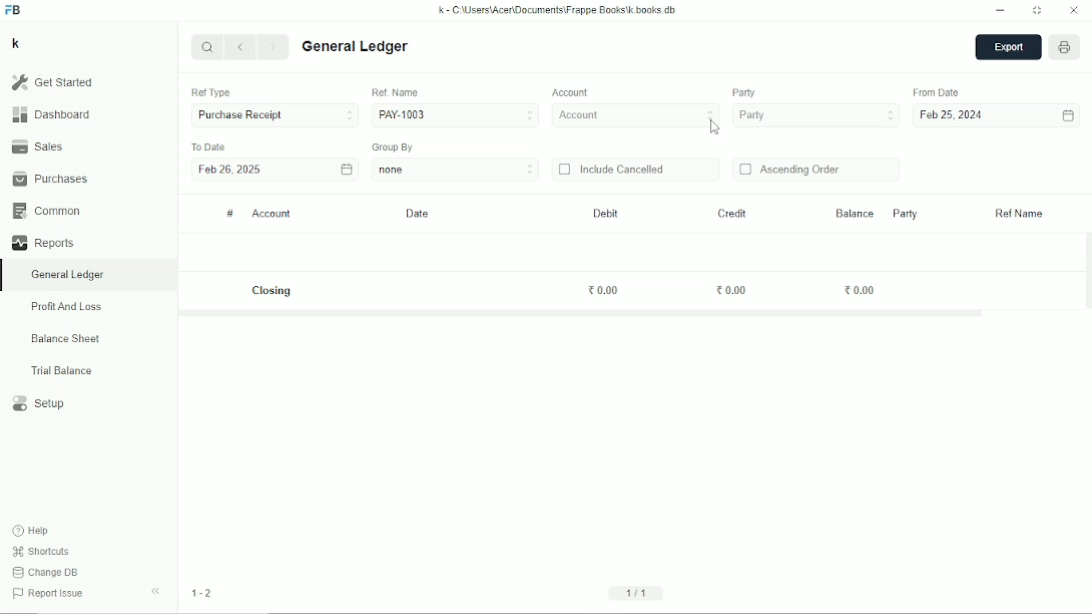 The width and height of the screenshot is (1092, 614). What do you see at coordinates (230, 214) in the screenshot?
I see `#` at bounding box center [230, 214].